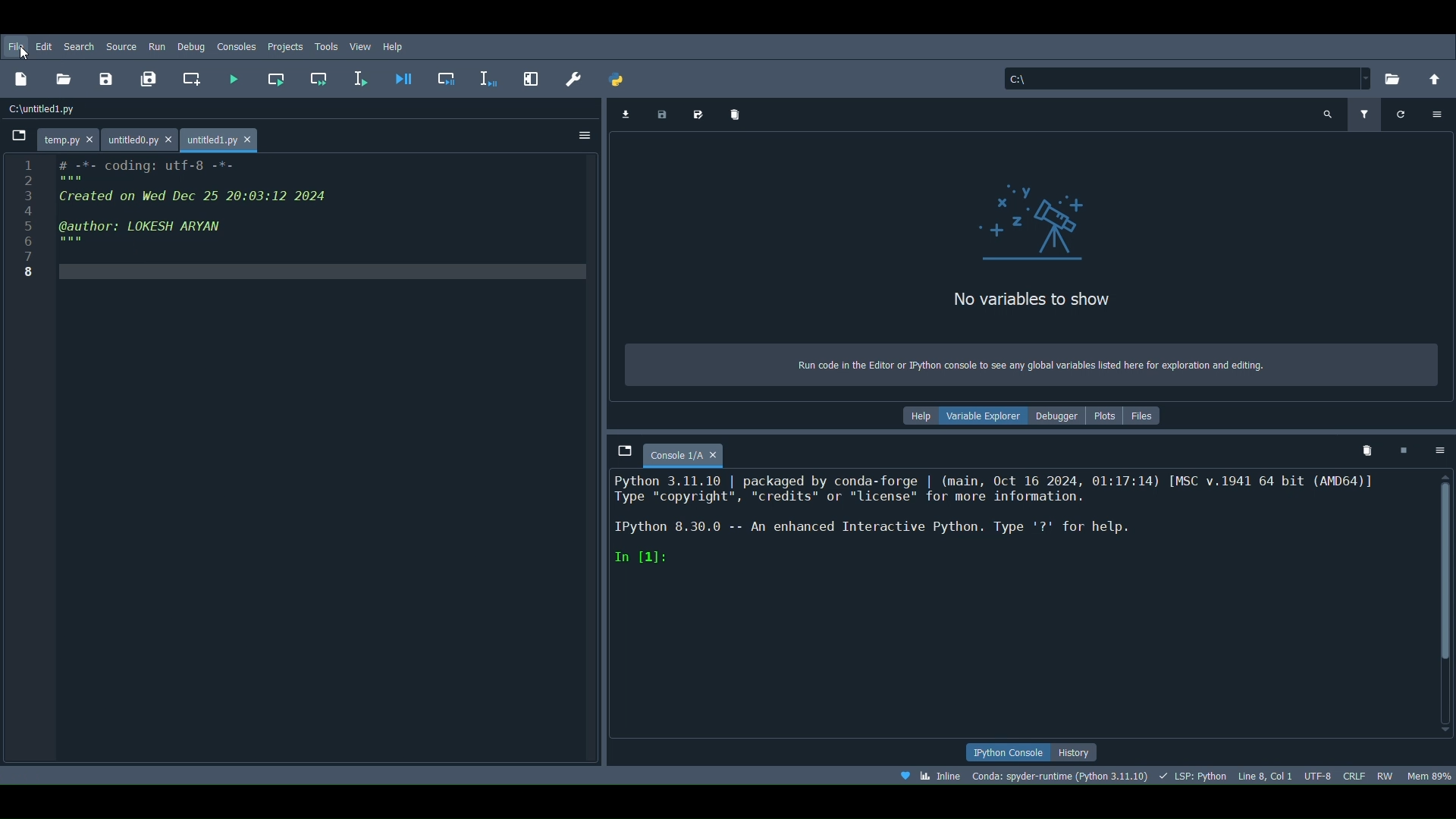 This screenshot has width=1456, height=819. Describe the element at coordinates (327, 45) in the screenshot. I see `Tools` at that location.